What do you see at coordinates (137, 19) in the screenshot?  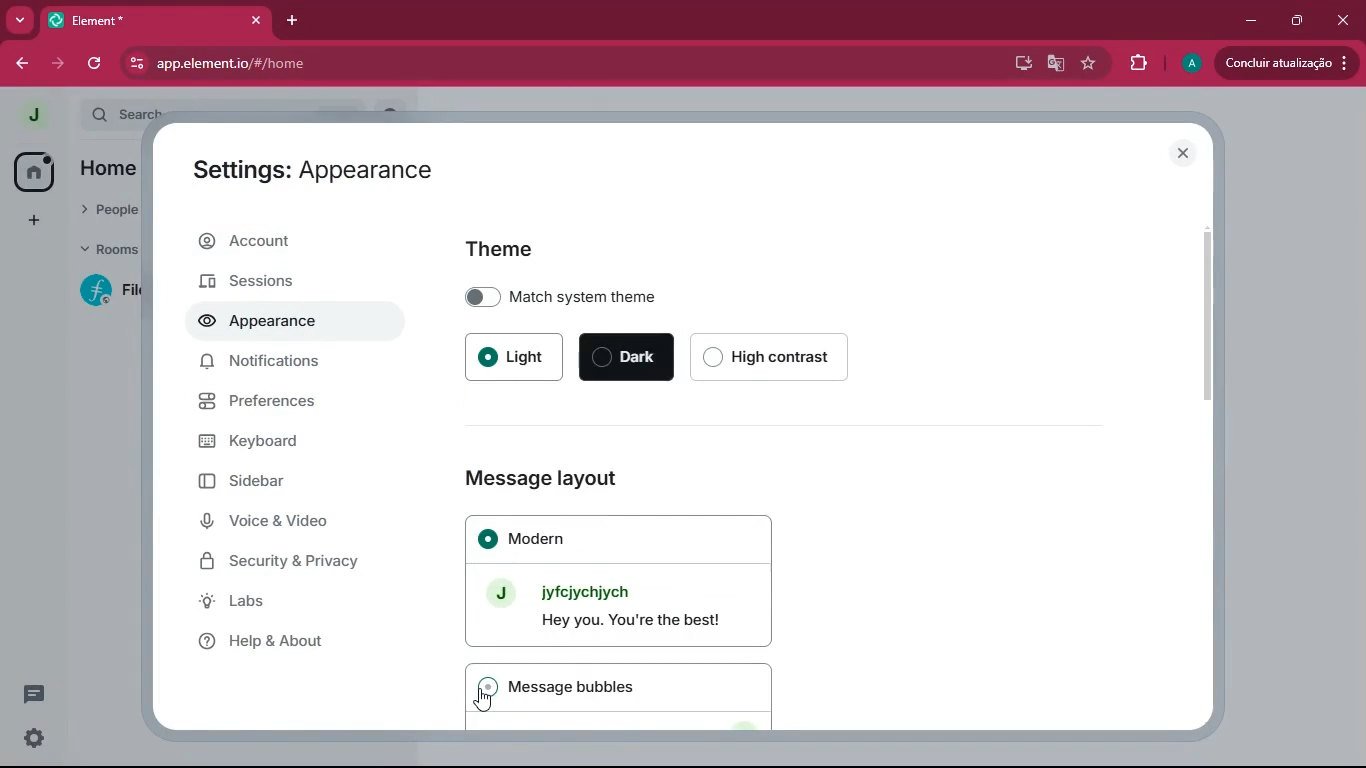 I see `Element*` at bounding box center [137, 19].